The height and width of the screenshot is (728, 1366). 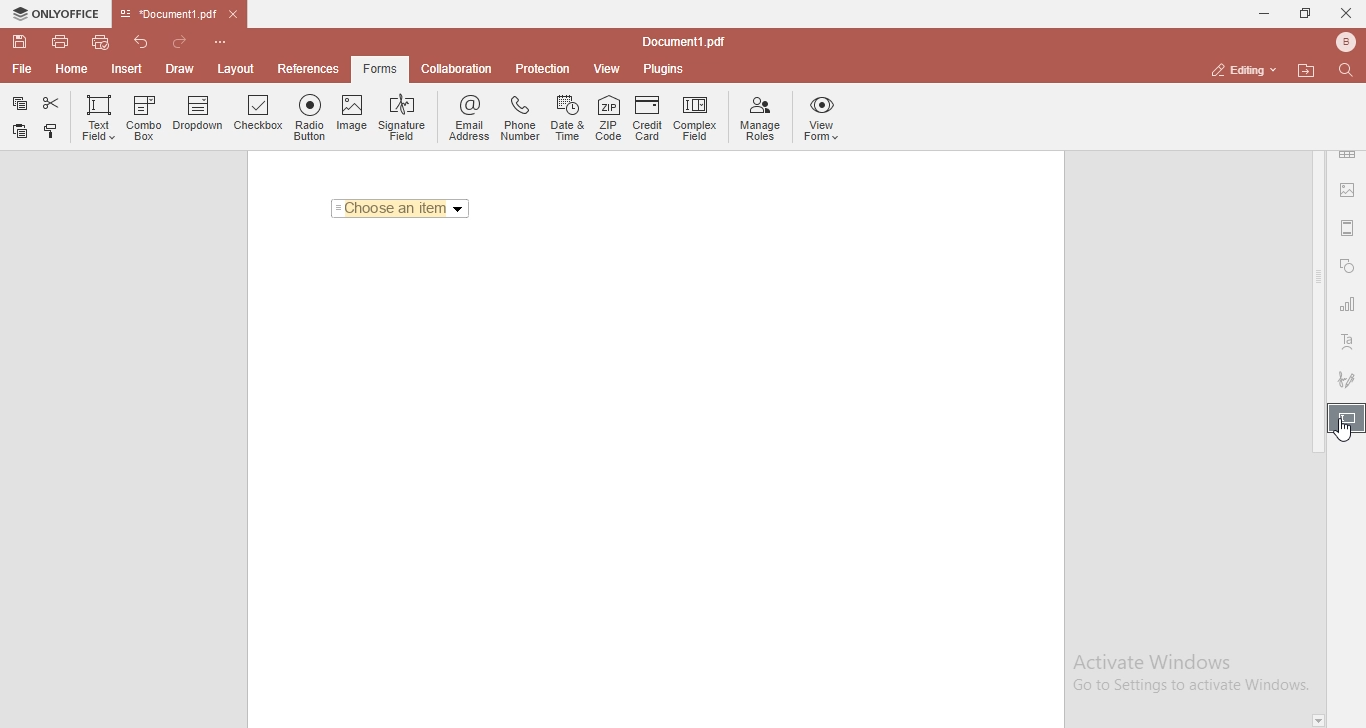 I want to click on forms, so click(x=380, y=69).